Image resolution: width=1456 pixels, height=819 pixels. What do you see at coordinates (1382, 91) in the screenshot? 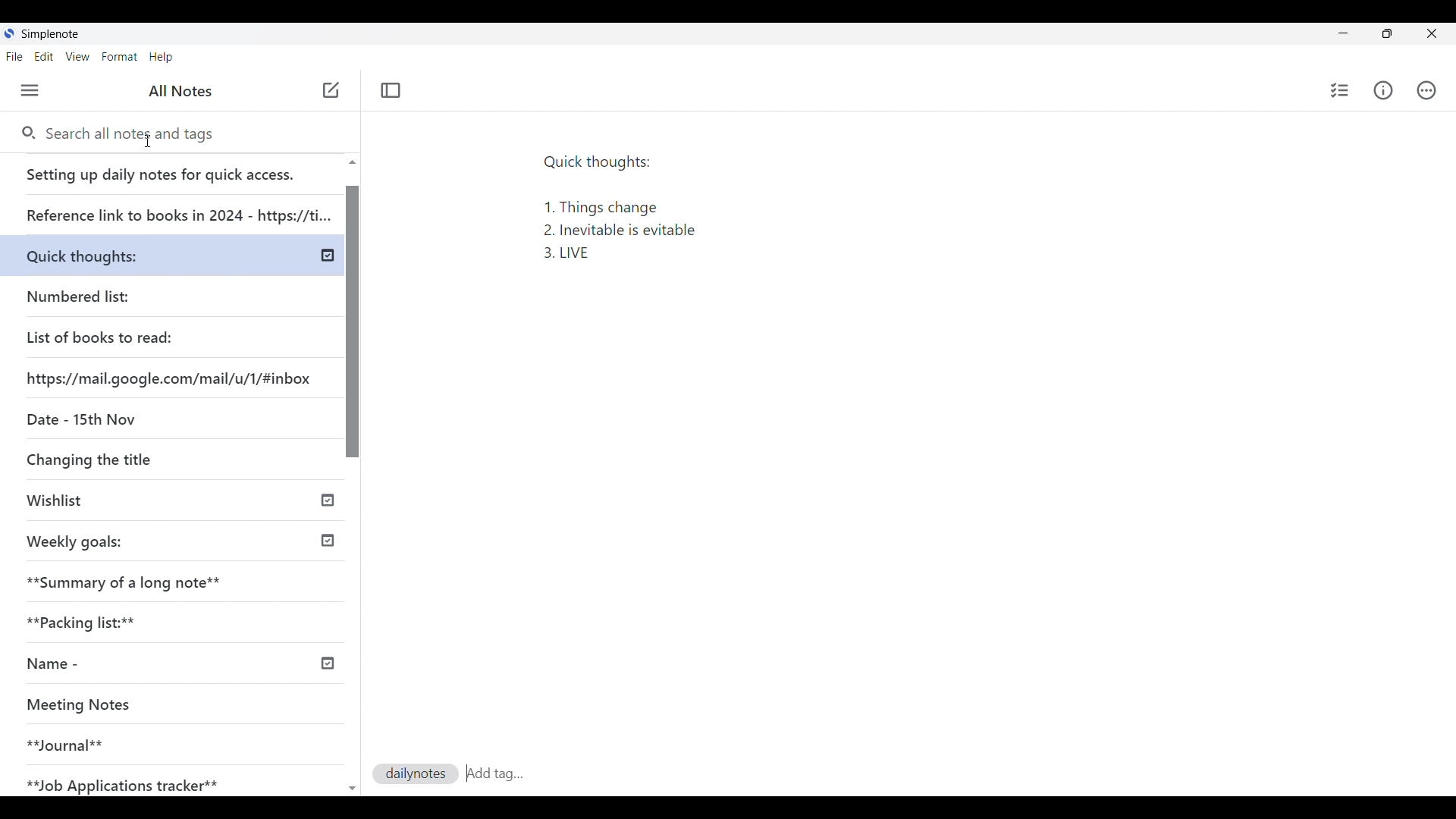
I see `Info` at bounding box center [1382, 91].